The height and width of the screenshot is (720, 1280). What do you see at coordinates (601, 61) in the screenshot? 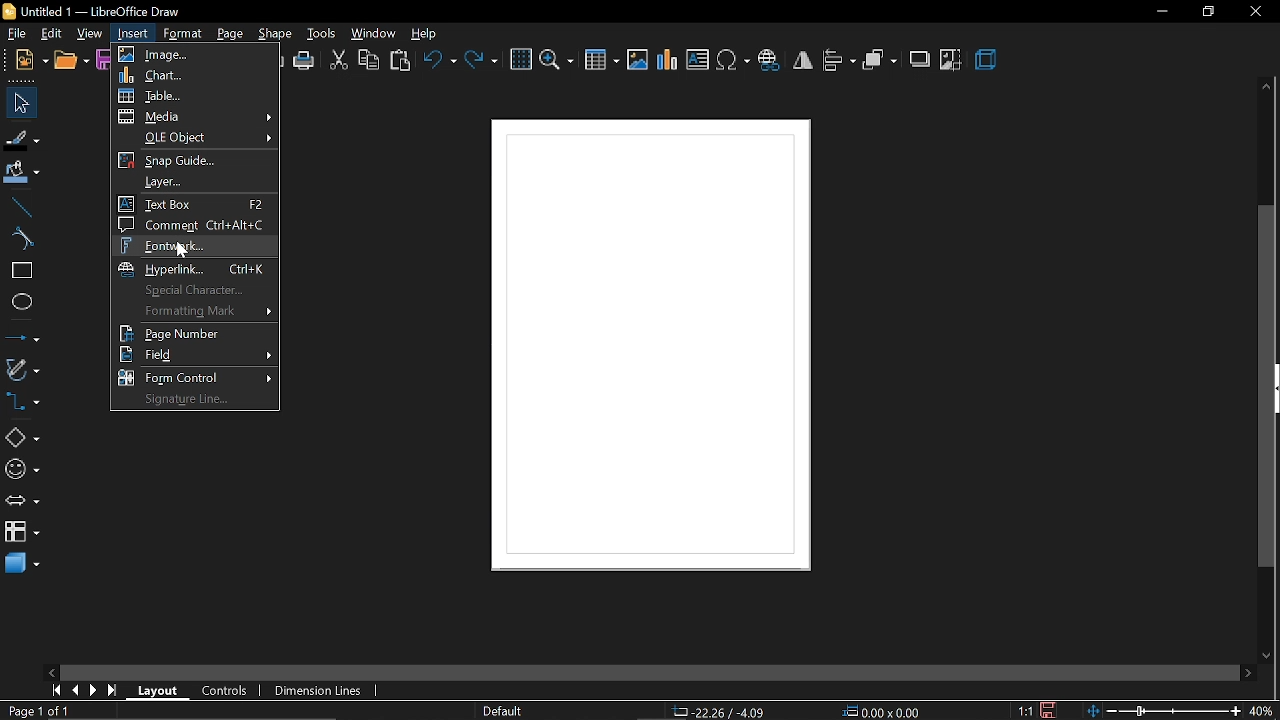
I see `insert table` at bounding box center [601, 61].